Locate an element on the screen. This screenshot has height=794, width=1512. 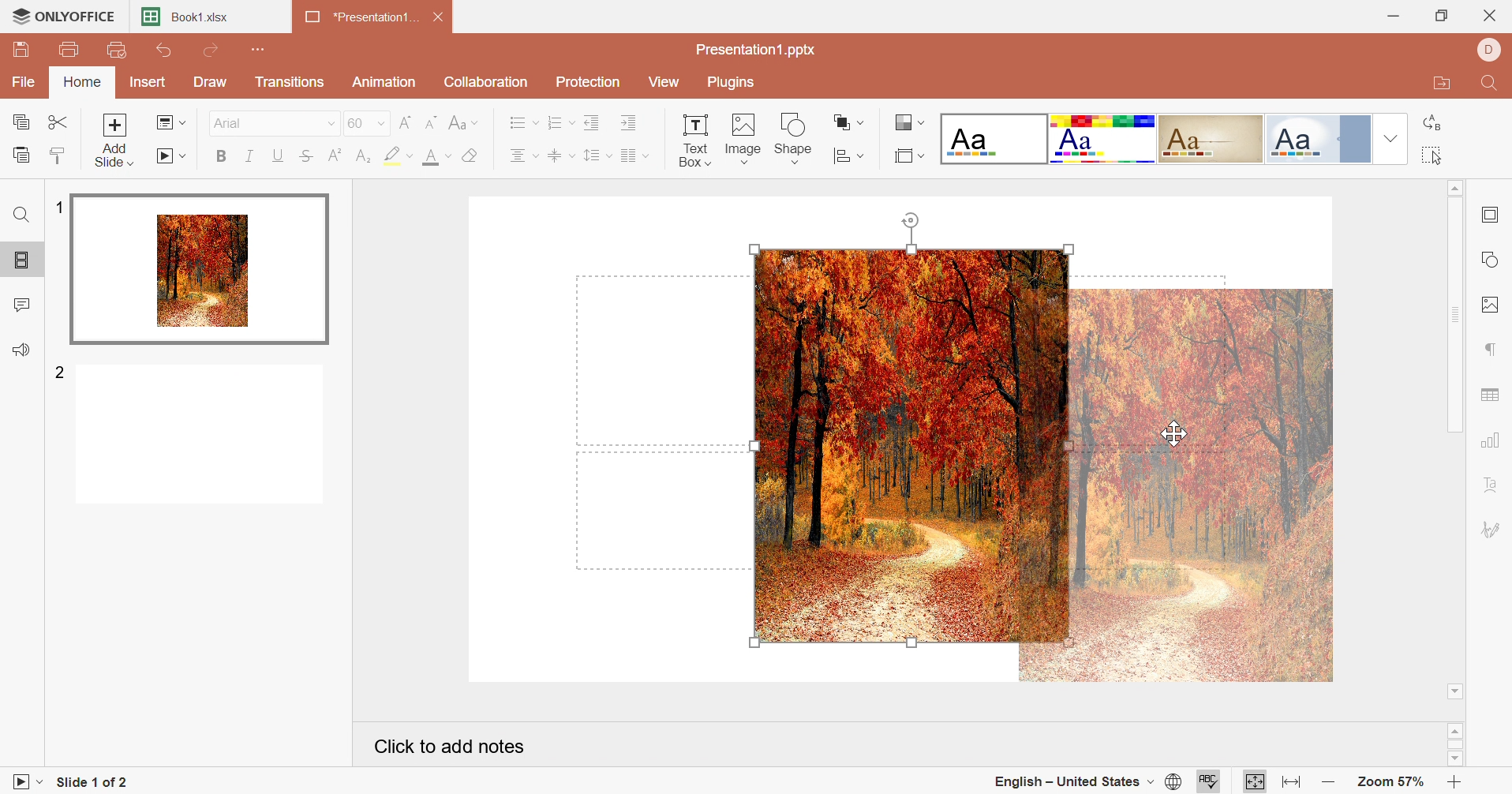
Align shape is located at coordinates (846, 157).